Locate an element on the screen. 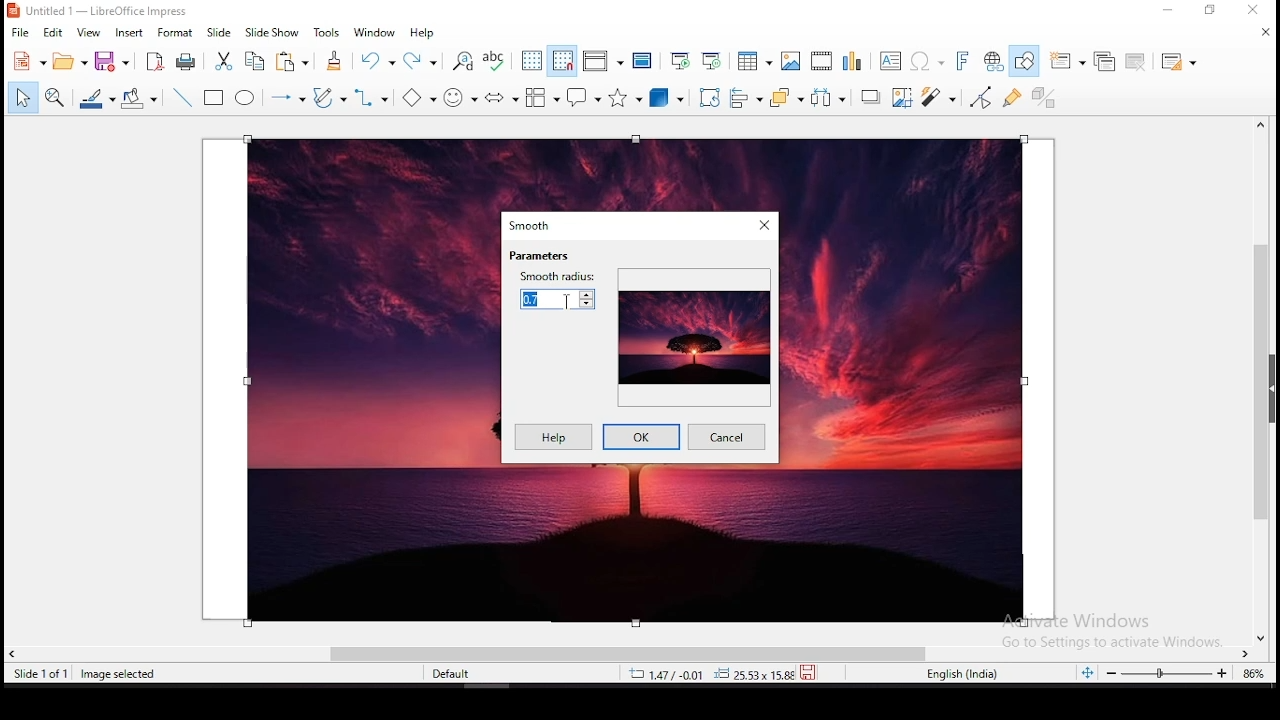 Image resolution: width=1280 pixels, height=720 pixels. display views is located at coordinates (604, 62).